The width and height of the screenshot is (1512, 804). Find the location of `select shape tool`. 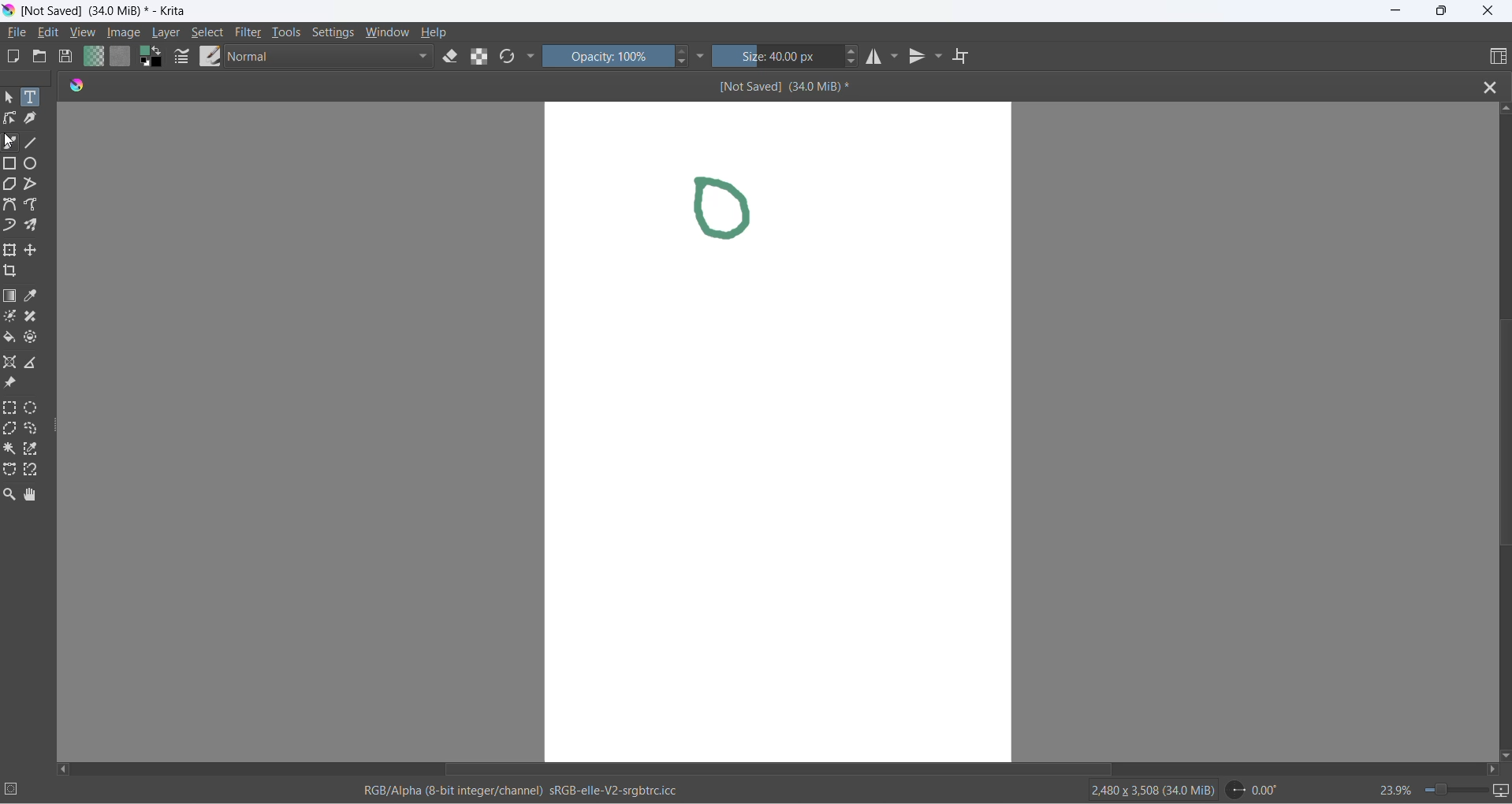

select shape tool is located at coordinates (12, 99).